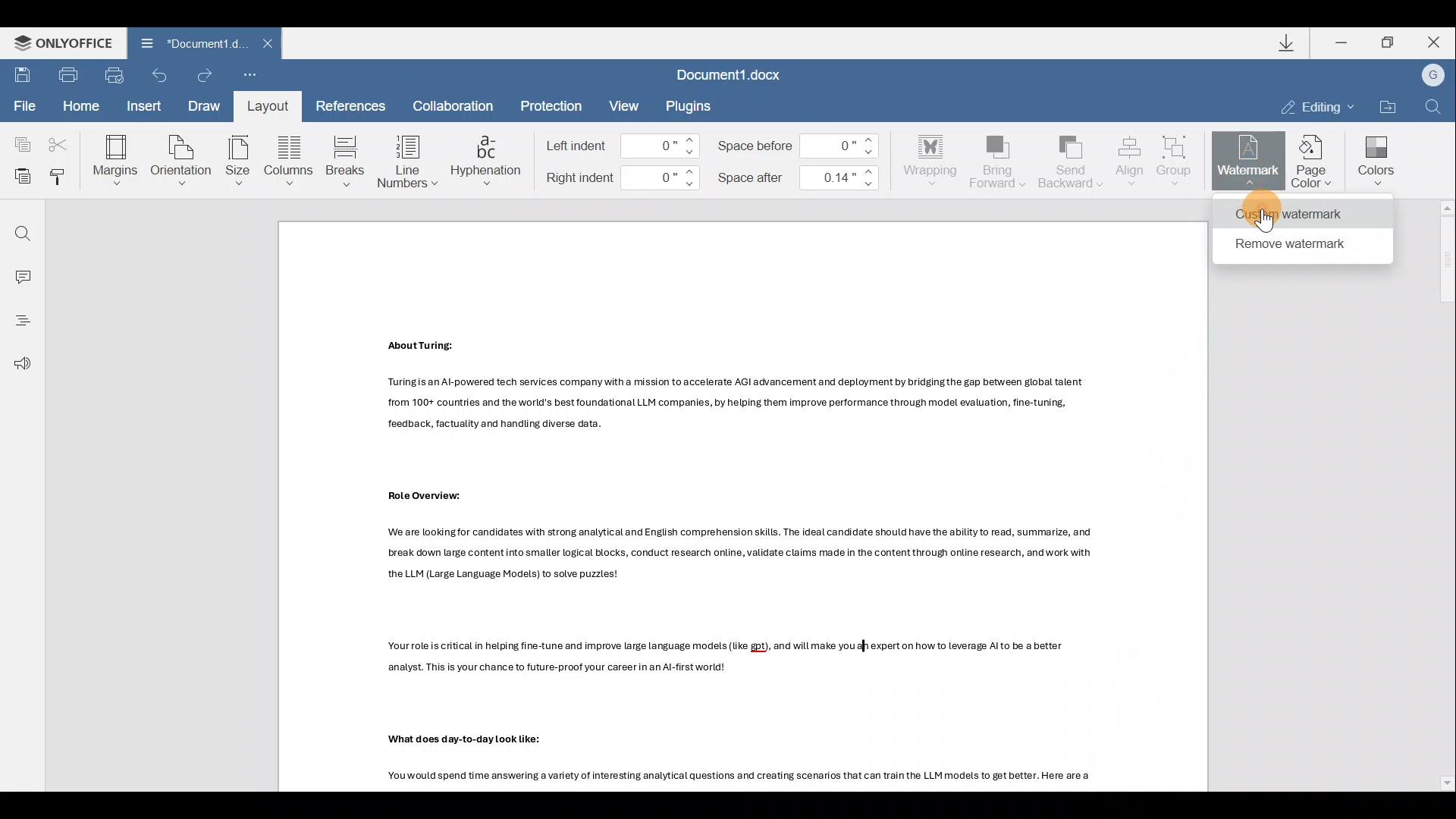 The image size is (1456, 819). What do you see at coordinates (1316, 158) in the screenshot?
I see `Page color` at bounding box center [1316, 158].